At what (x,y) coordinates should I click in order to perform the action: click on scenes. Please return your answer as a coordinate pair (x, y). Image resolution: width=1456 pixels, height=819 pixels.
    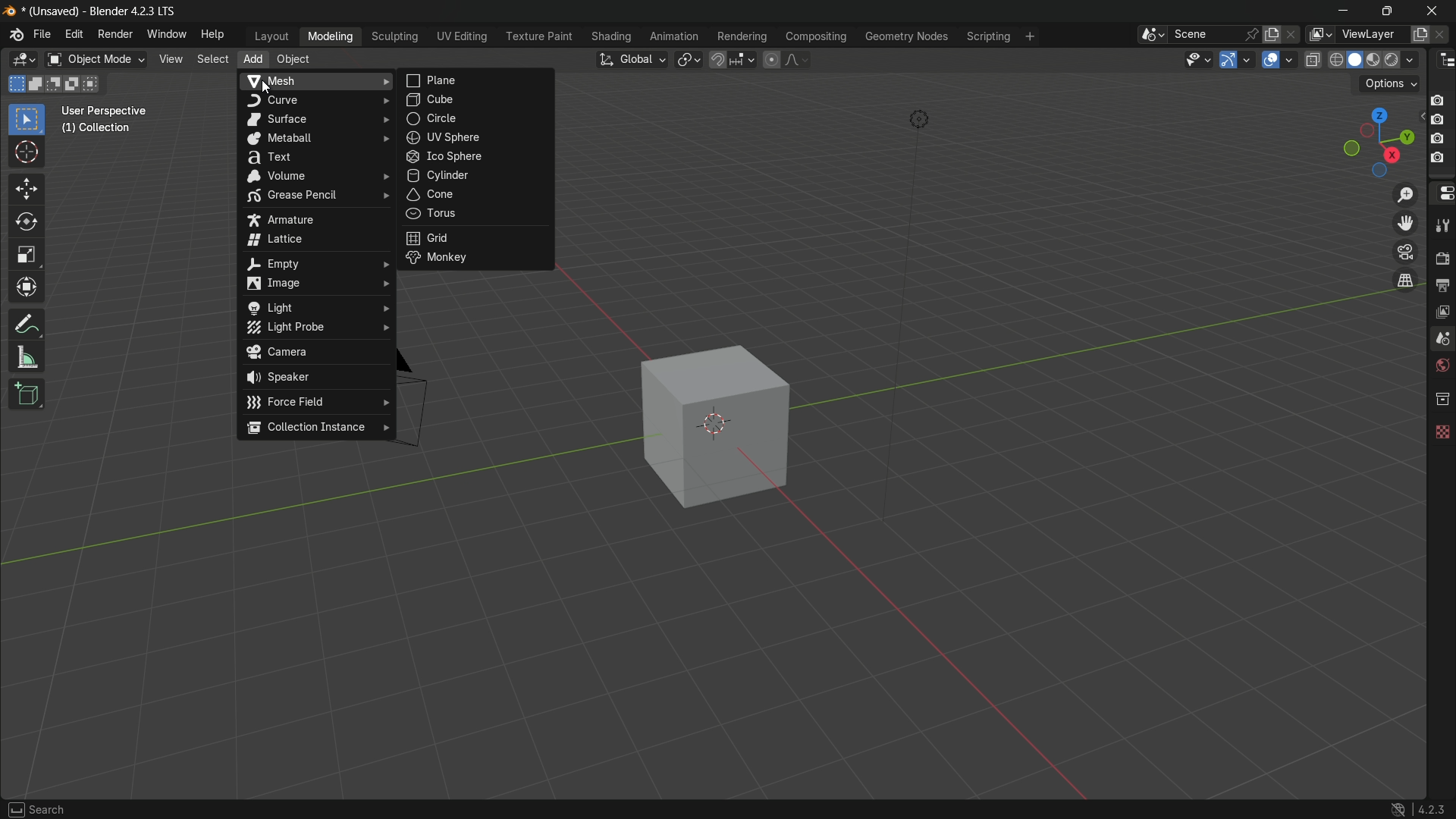
    Looking at the image, I should click on (1442, 337).